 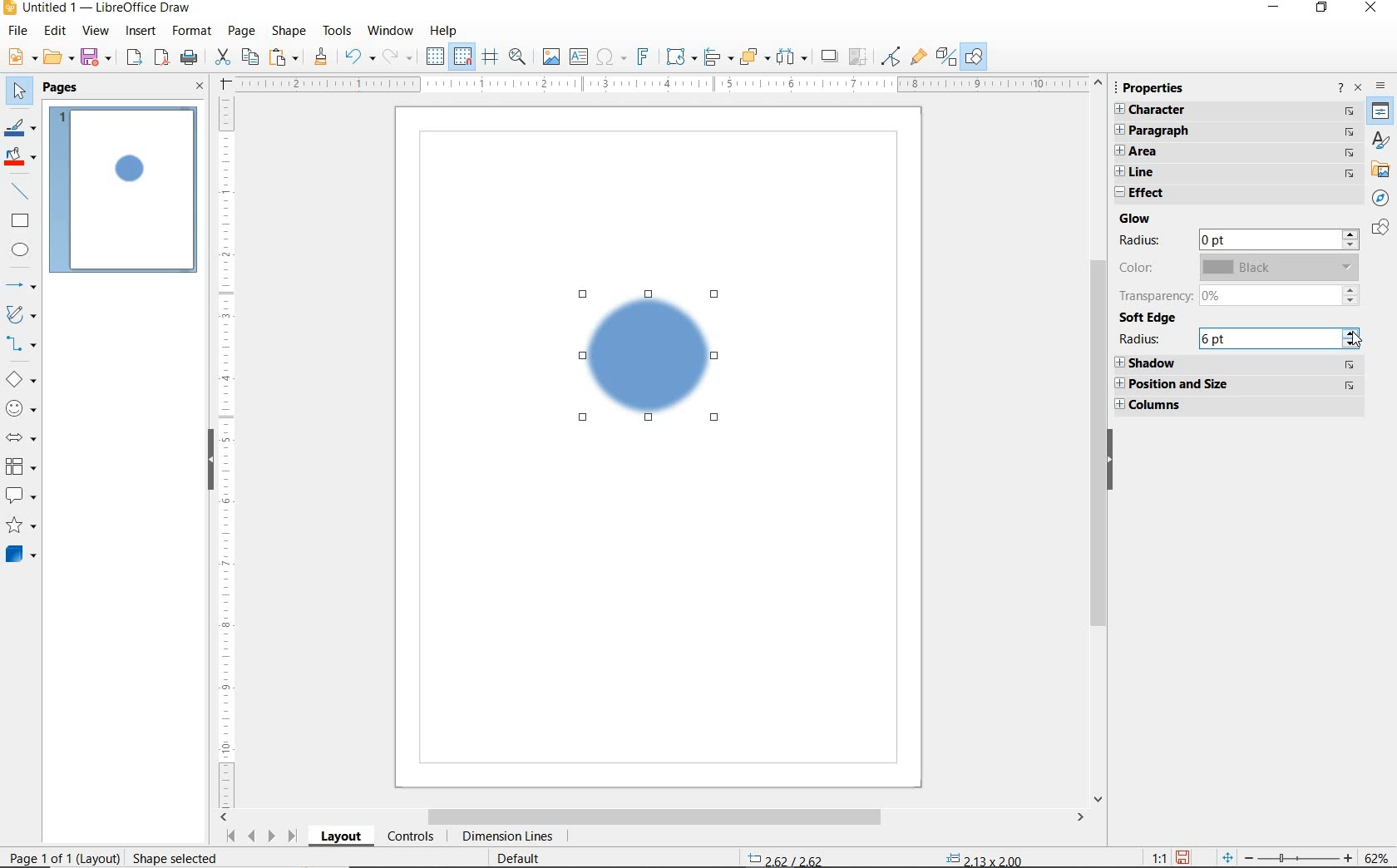 What do you see at coordinates (23, 378) in the screenshot?
I see `BASIC SHAPES` at bounding box center [23, 378].